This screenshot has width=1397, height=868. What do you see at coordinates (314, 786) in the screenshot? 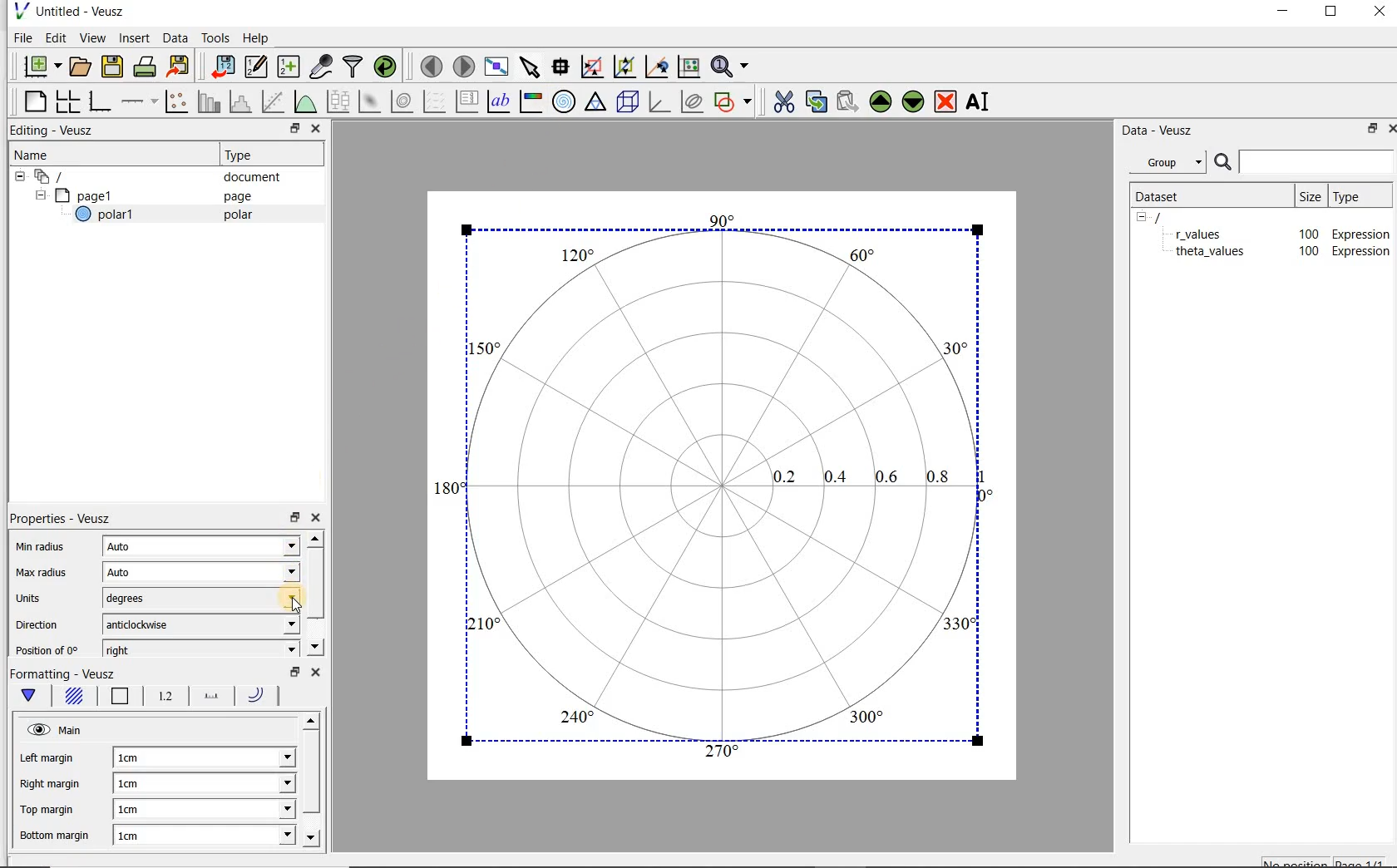
I see `scroll bar` at bounding box center [314, 786].